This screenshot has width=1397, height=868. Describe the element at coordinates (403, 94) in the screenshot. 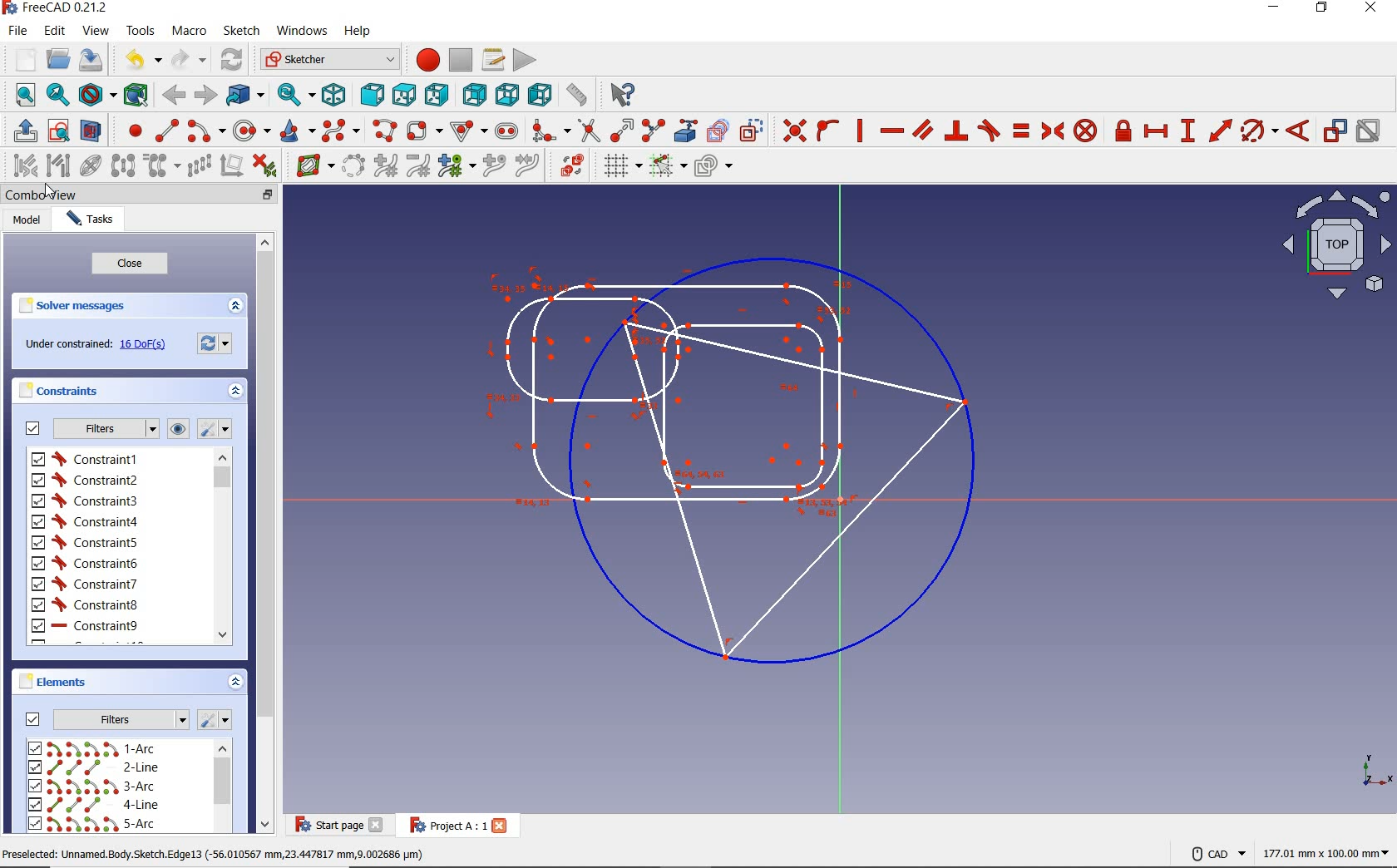

I see `top` at that location.